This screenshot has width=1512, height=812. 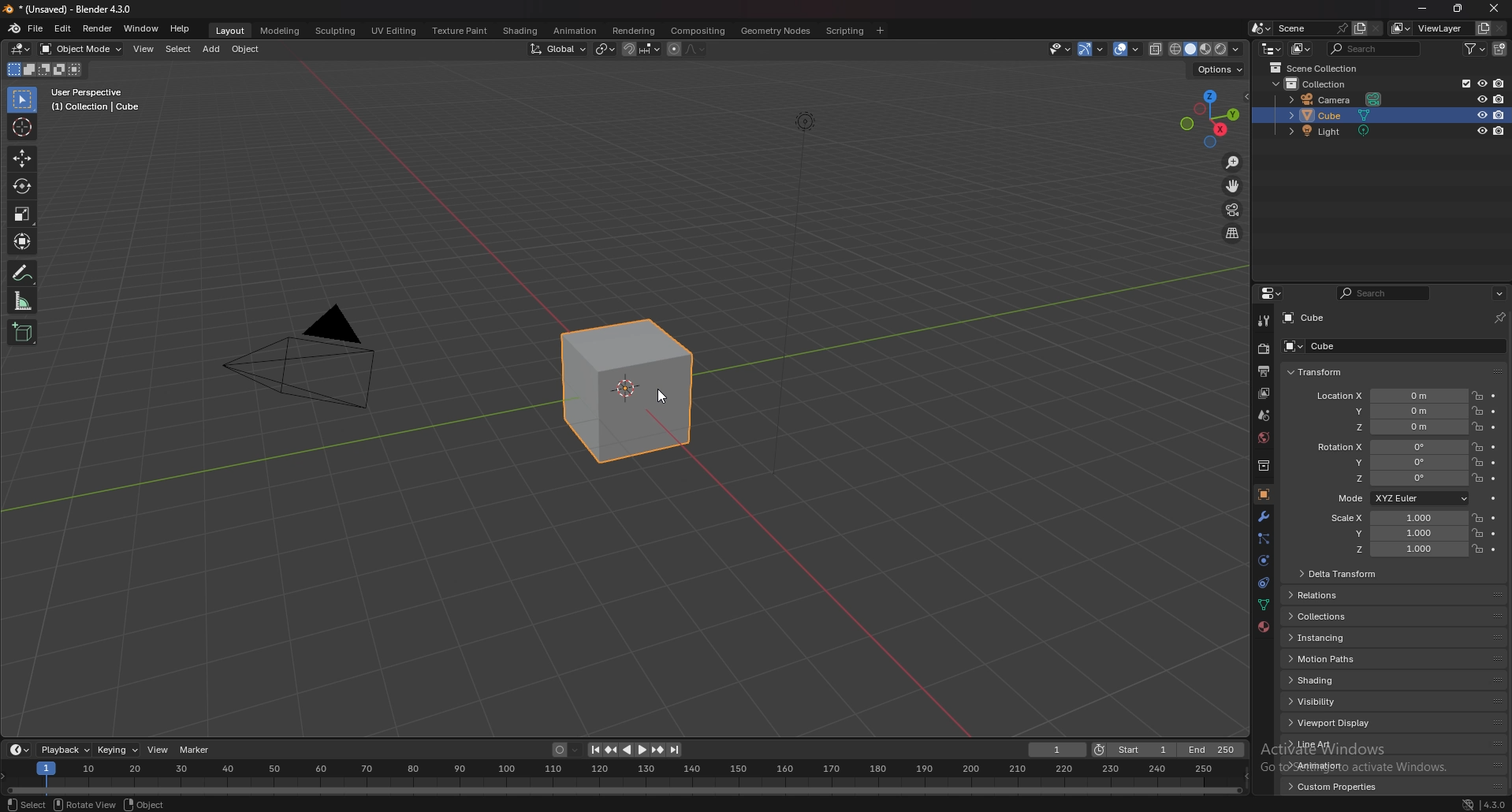 What do you see at coordinates (214, 48) in the screenshot?
I see `add` at bounding box center [214, 48].